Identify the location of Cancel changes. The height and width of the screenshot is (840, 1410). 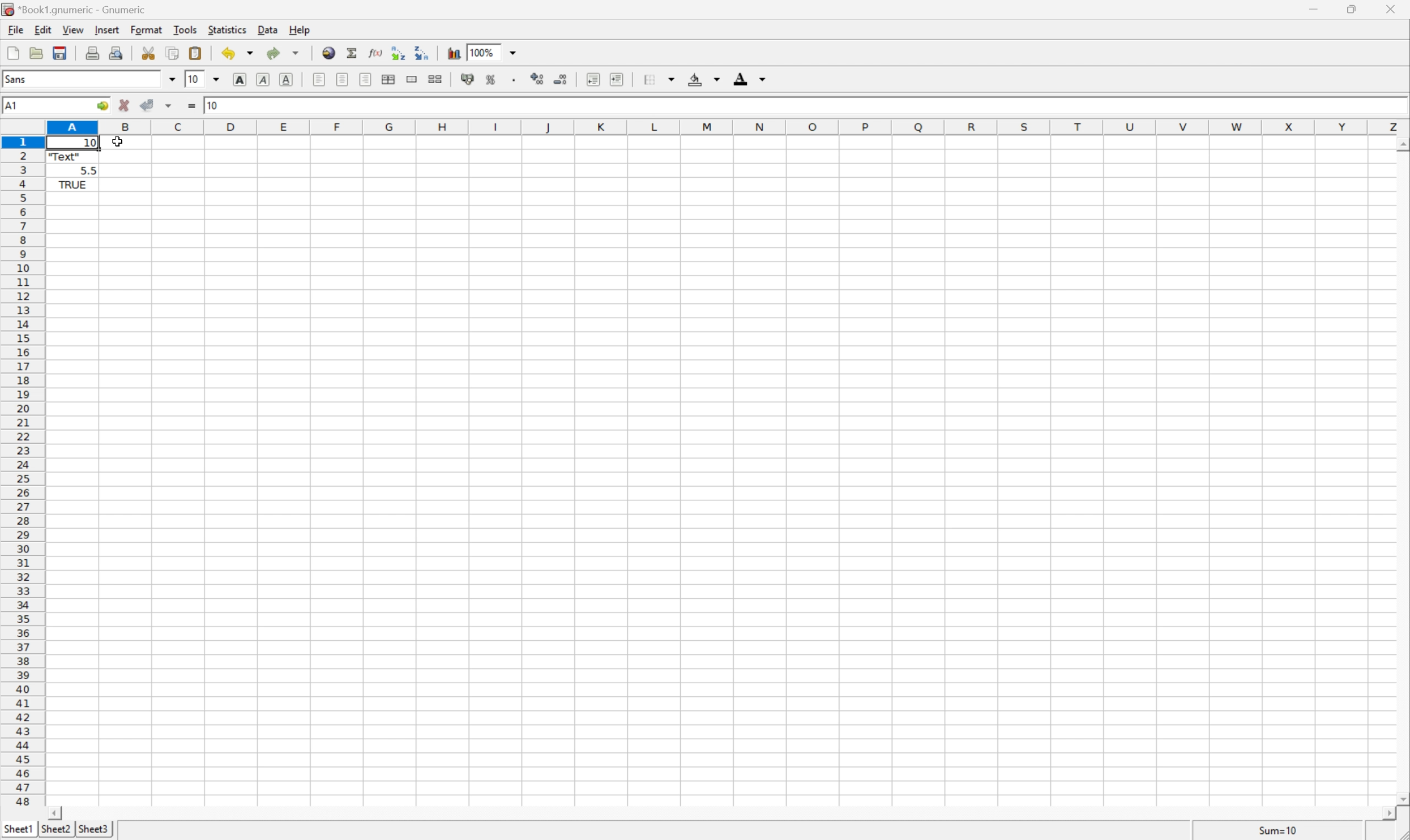
(125, 106).